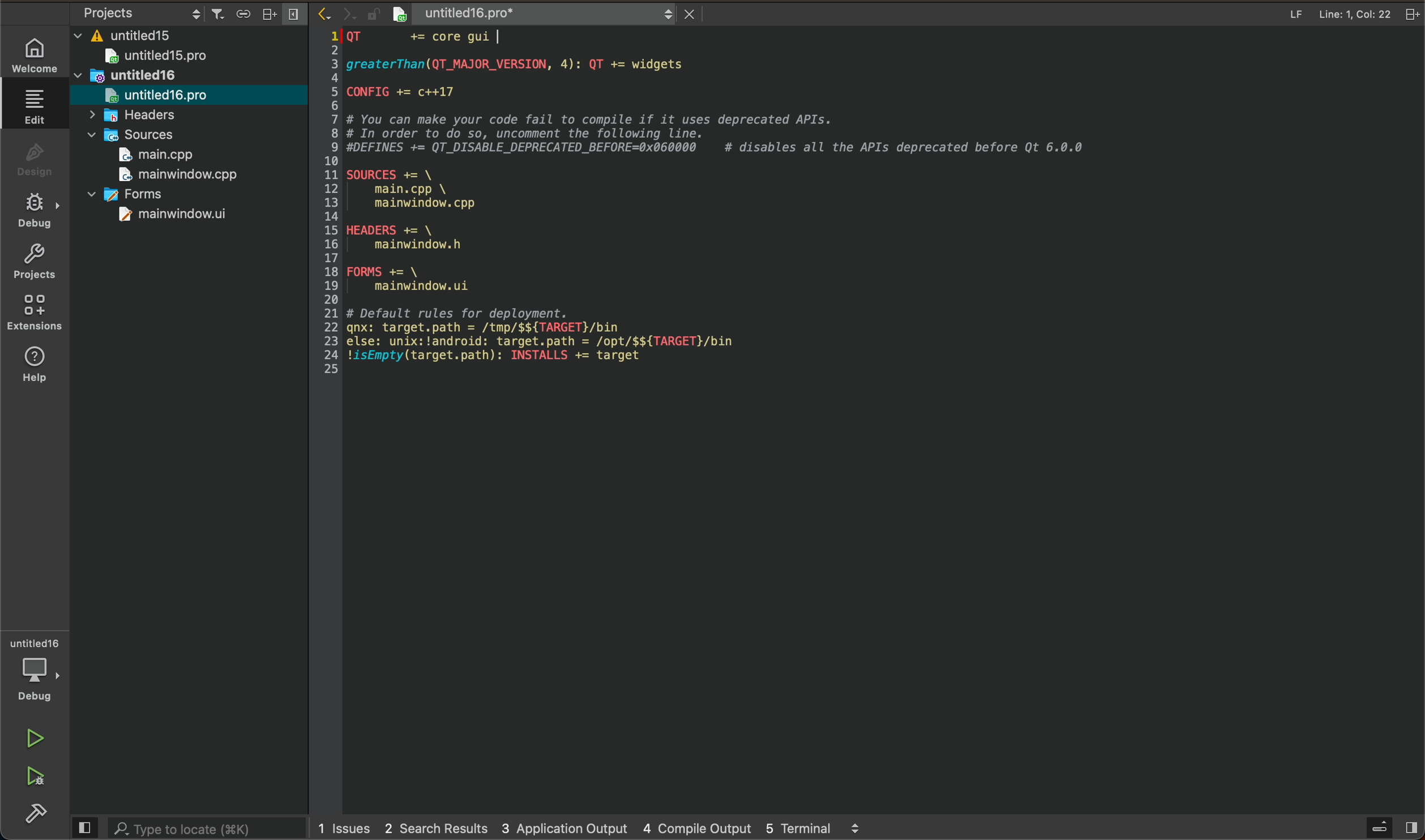 Image resolution: width=1425 pixels, height=840 pixels. What do you see at coordinates (130, 77) in the screenshot?
I see `untitled16` at bounding box center [130, 77].